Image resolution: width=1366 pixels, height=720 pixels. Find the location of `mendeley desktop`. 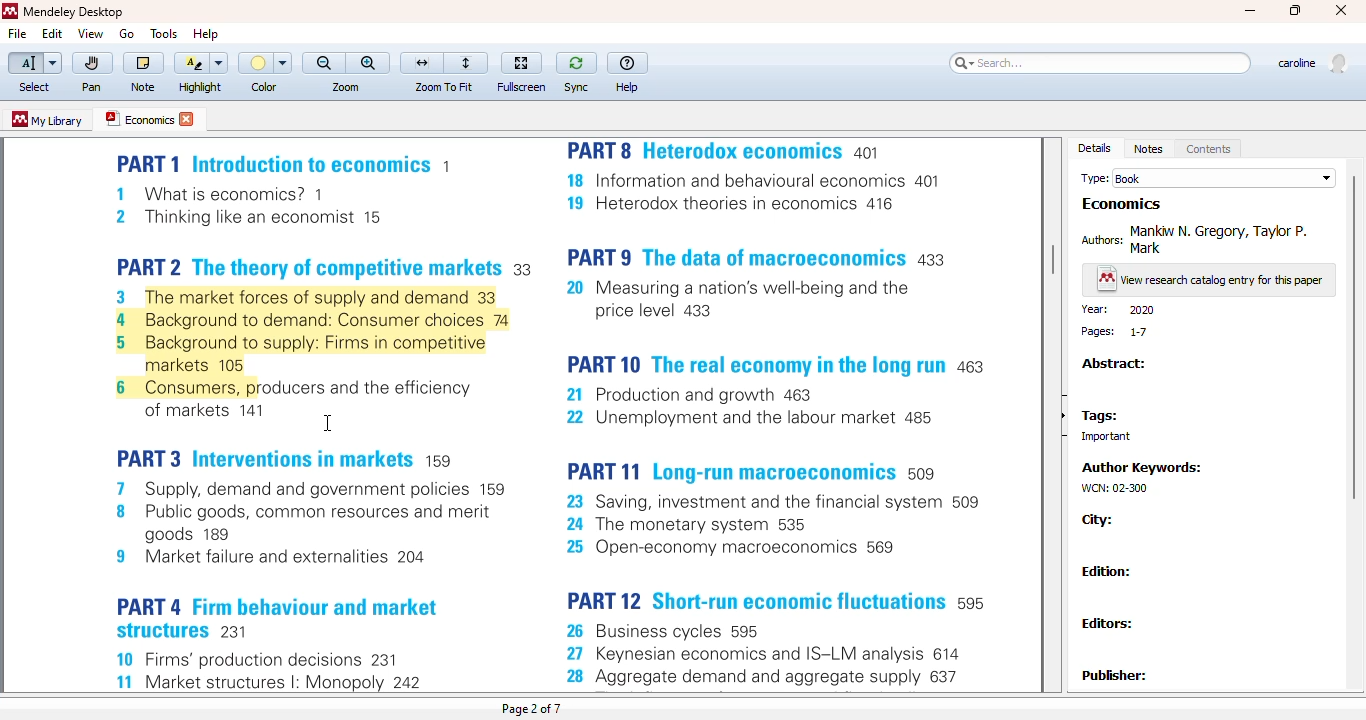

mendeley desktop is located at coordinates (74, 12).